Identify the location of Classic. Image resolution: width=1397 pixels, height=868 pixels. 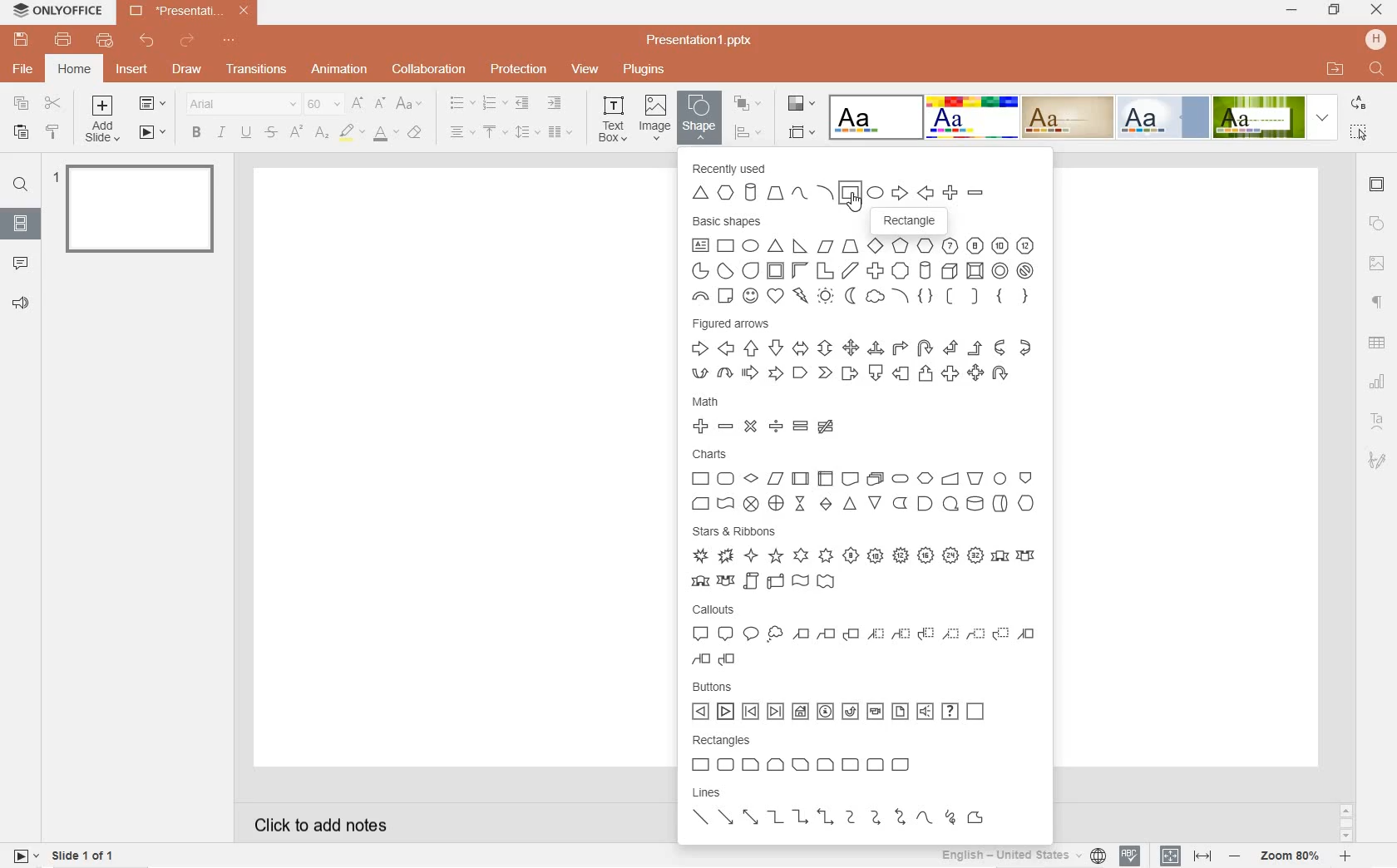
(1067, 117).